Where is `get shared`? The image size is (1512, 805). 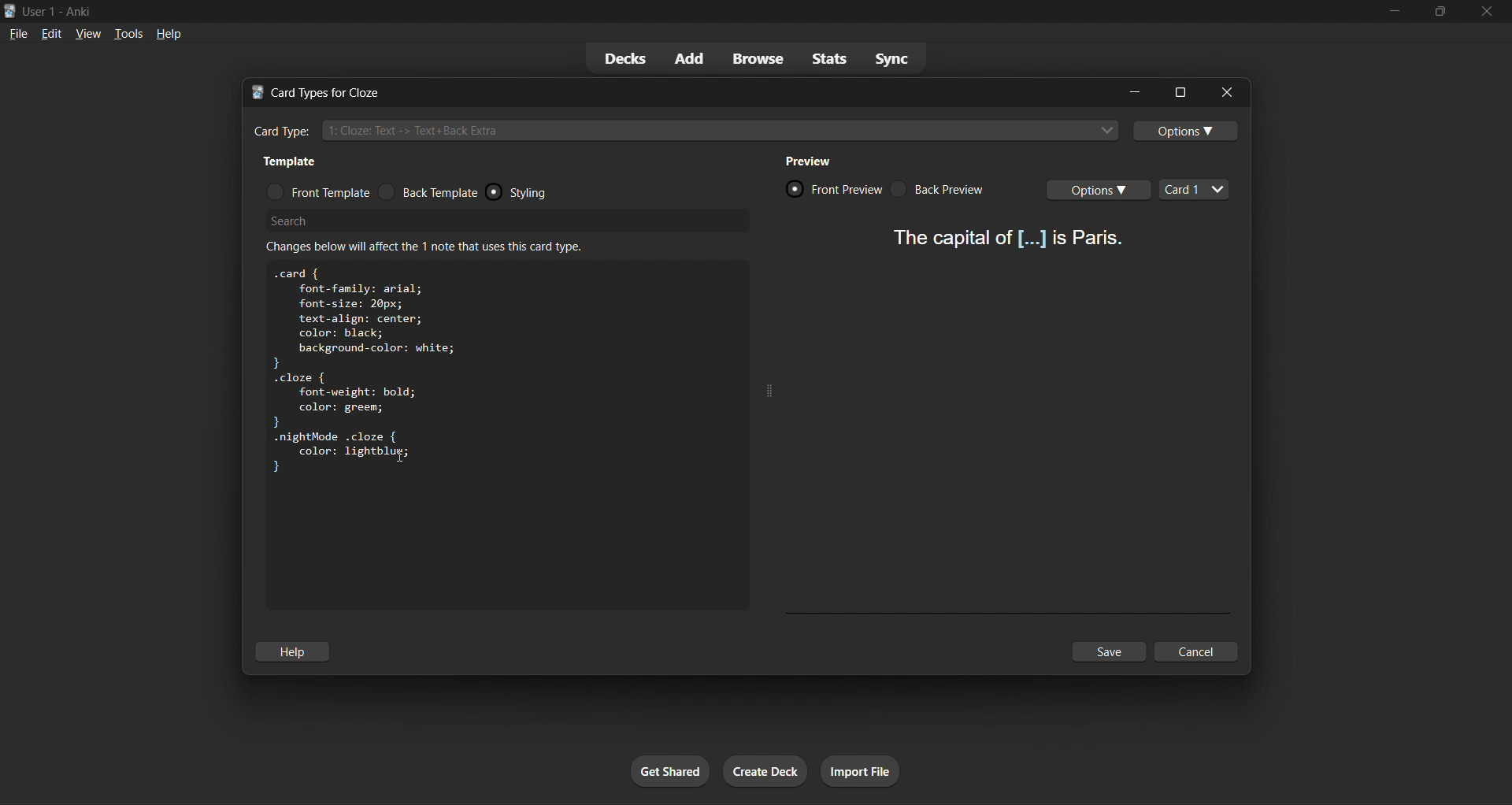 get shared is located at coordinates (673, 770).